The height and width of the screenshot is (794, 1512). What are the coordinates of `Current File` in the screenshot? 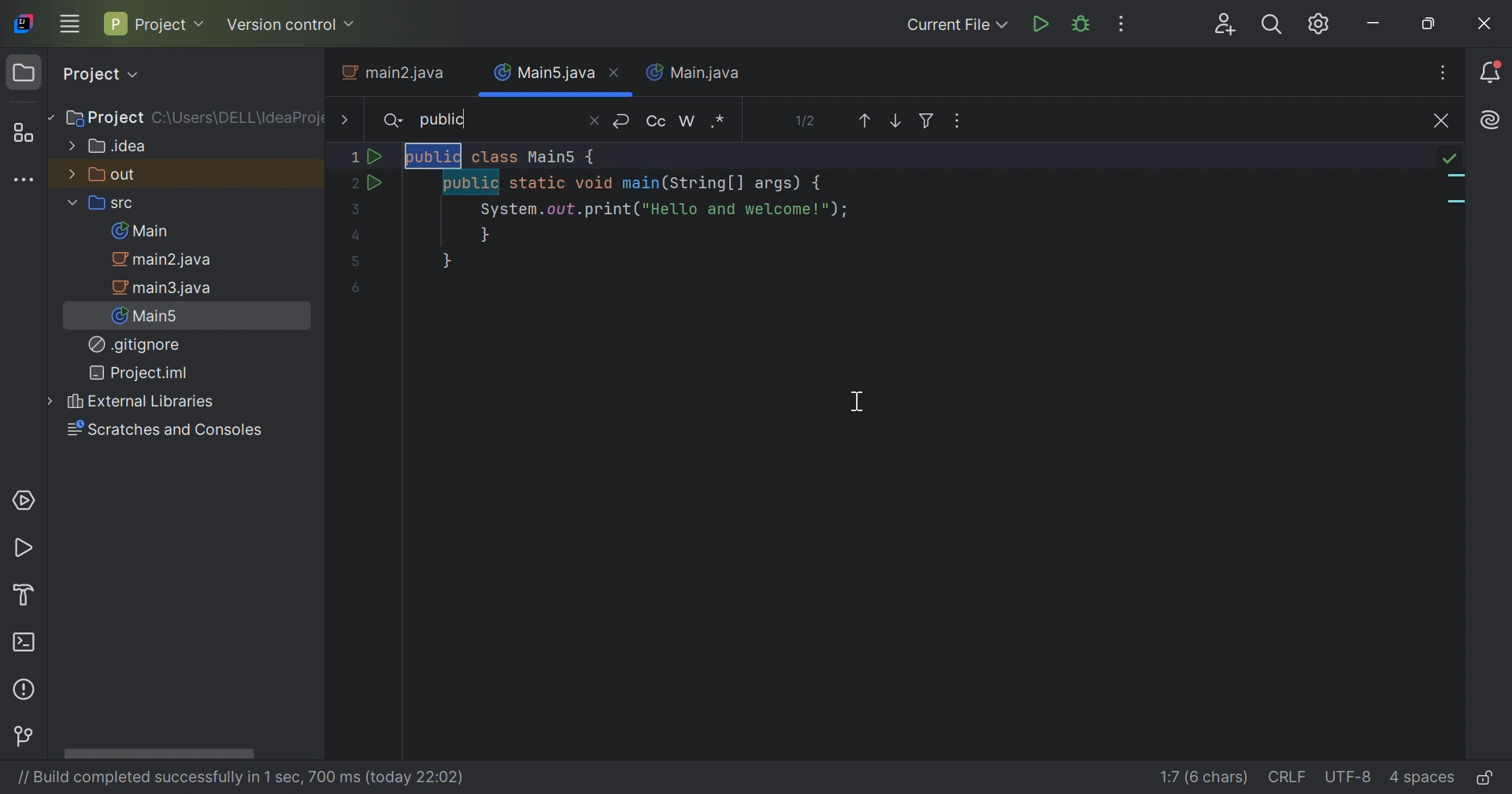 It's located at (954, 24).